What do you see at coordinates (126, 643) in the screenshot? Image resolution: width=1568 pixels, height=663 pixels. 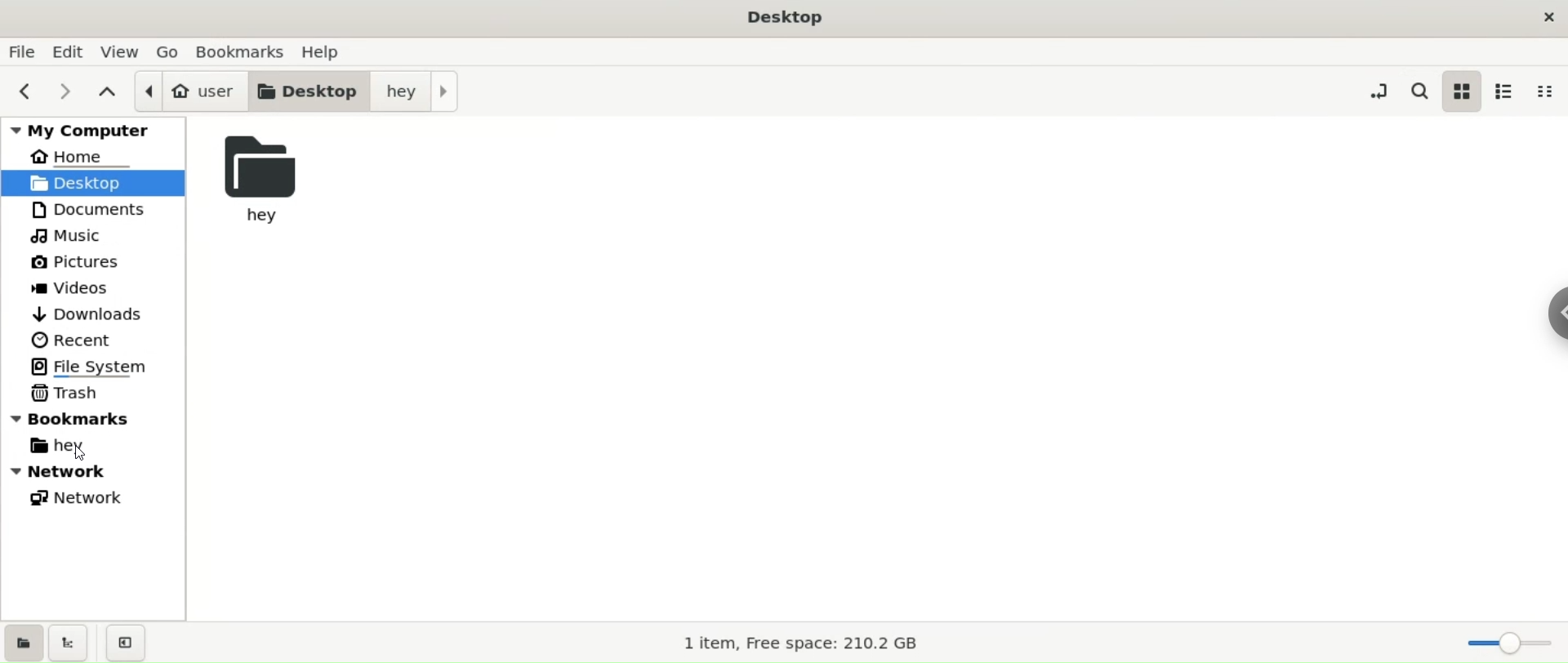 I see `close sidebars` at bounding box center [126, 643].